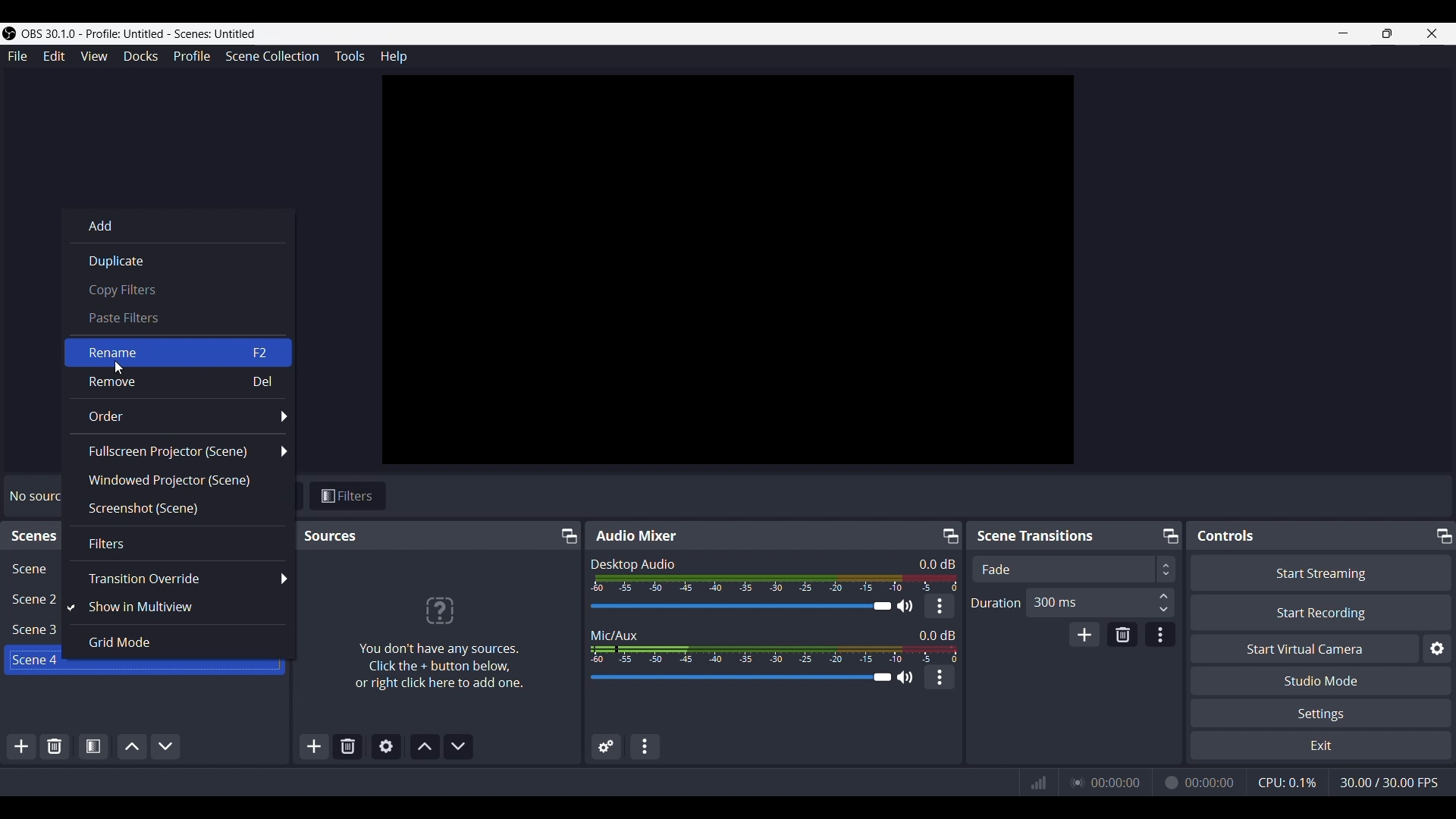 Image resolution: width=1456 pixels, height=819 pixels. Describe the element at coordinates (950, 535) in the screenshot. I see ` Undock/Pop-out icon` at that location.